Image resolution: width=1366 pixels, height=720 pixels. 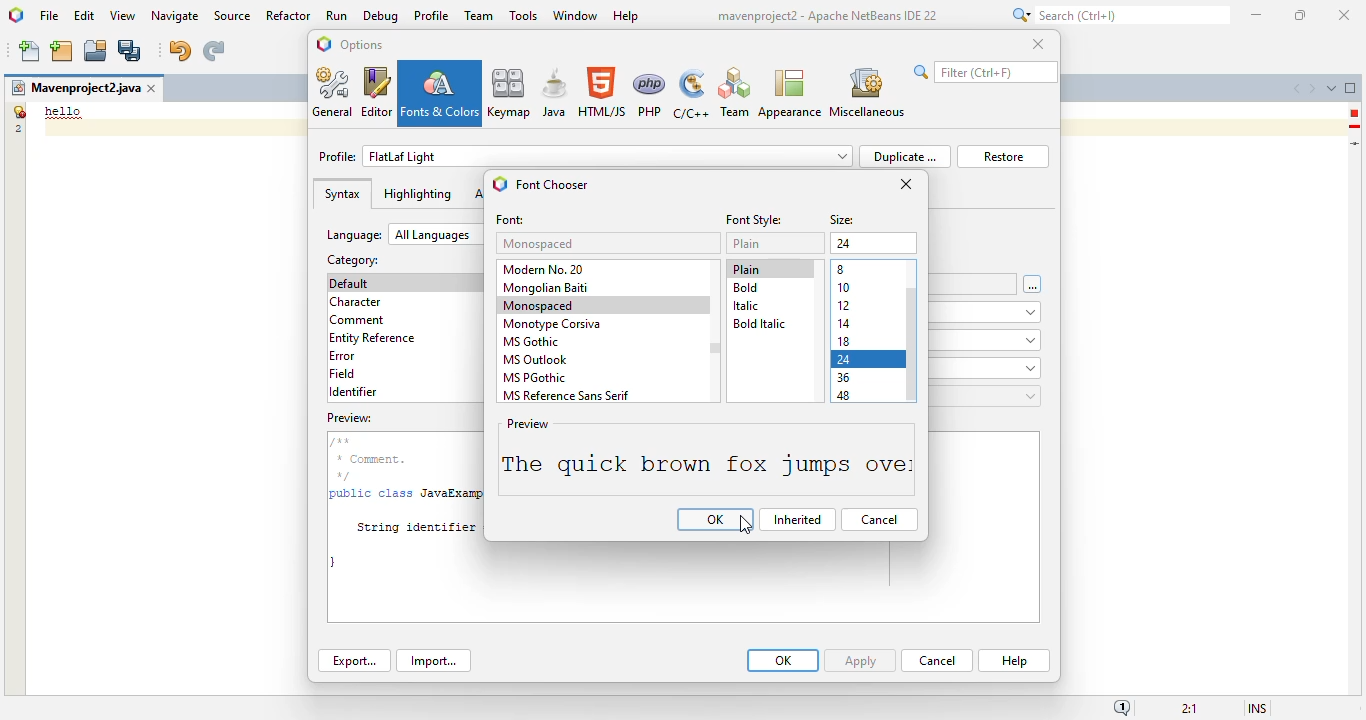 What do you see at coordinates (555, 92) in the screenshot?
I see `java` at bounding box center [555, 92].